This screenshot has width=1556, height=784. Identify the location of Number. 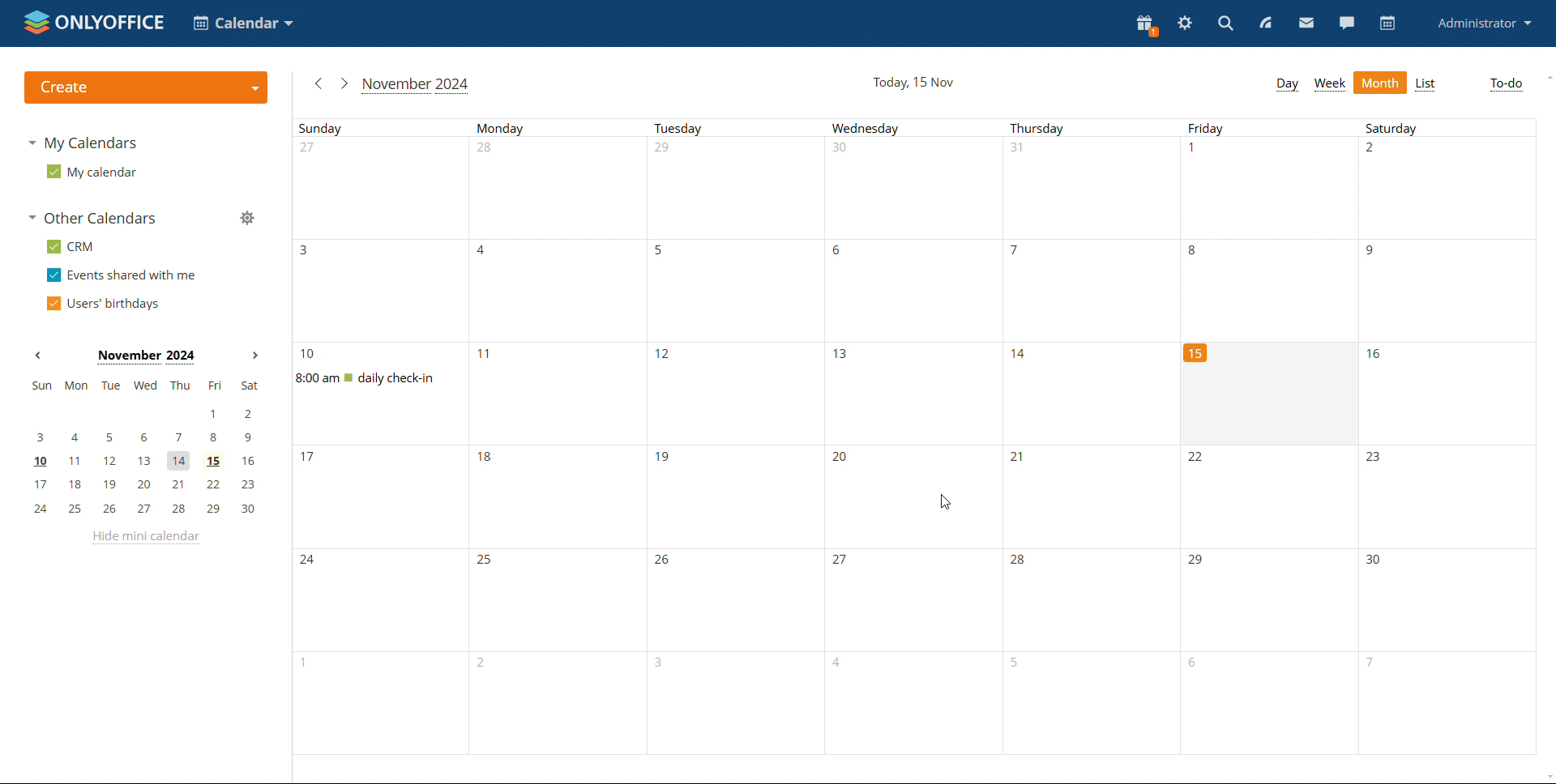
(1020, 461).